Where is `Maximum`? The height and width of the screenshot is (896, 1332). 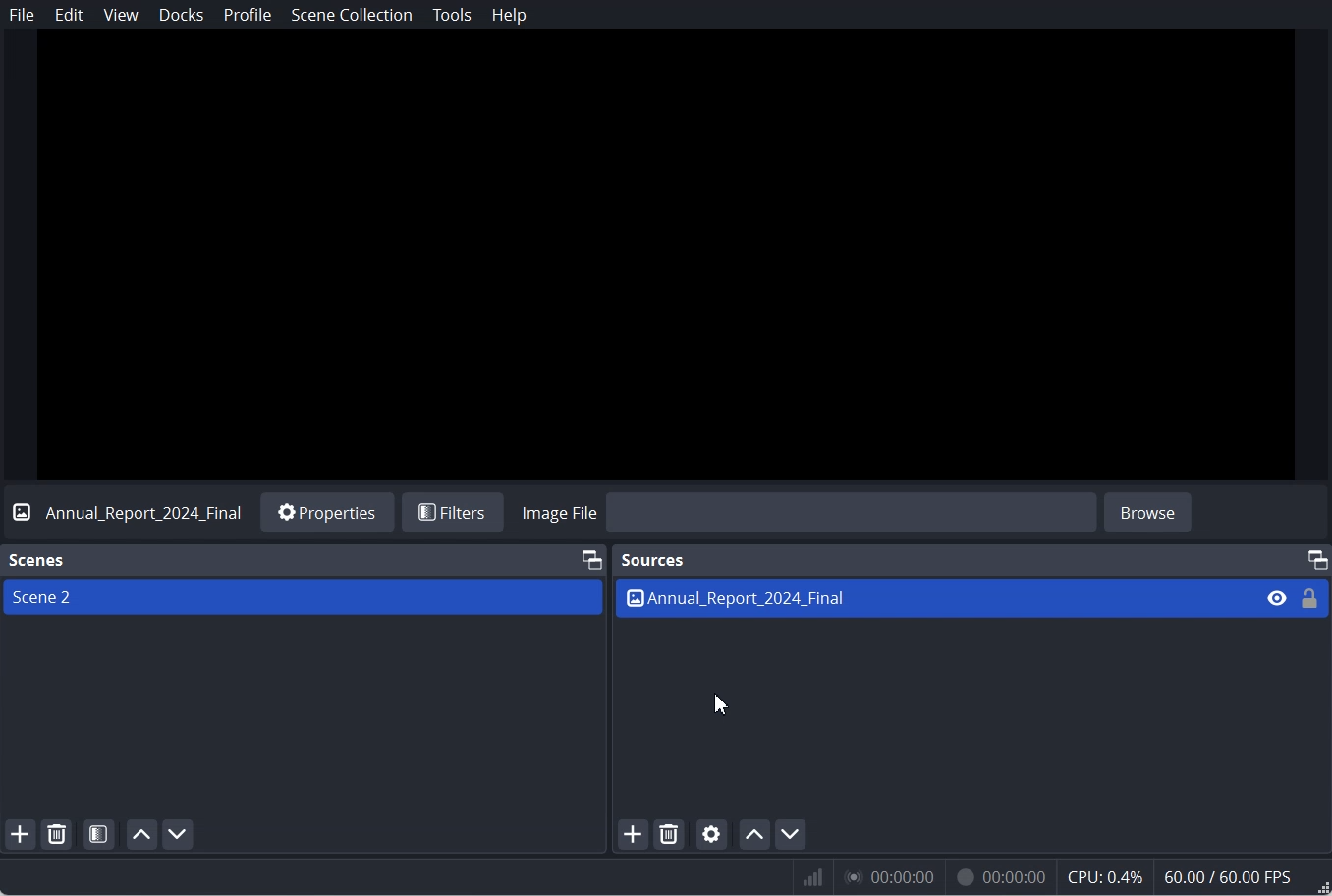
Maximum is located at coordinates (591, 559).